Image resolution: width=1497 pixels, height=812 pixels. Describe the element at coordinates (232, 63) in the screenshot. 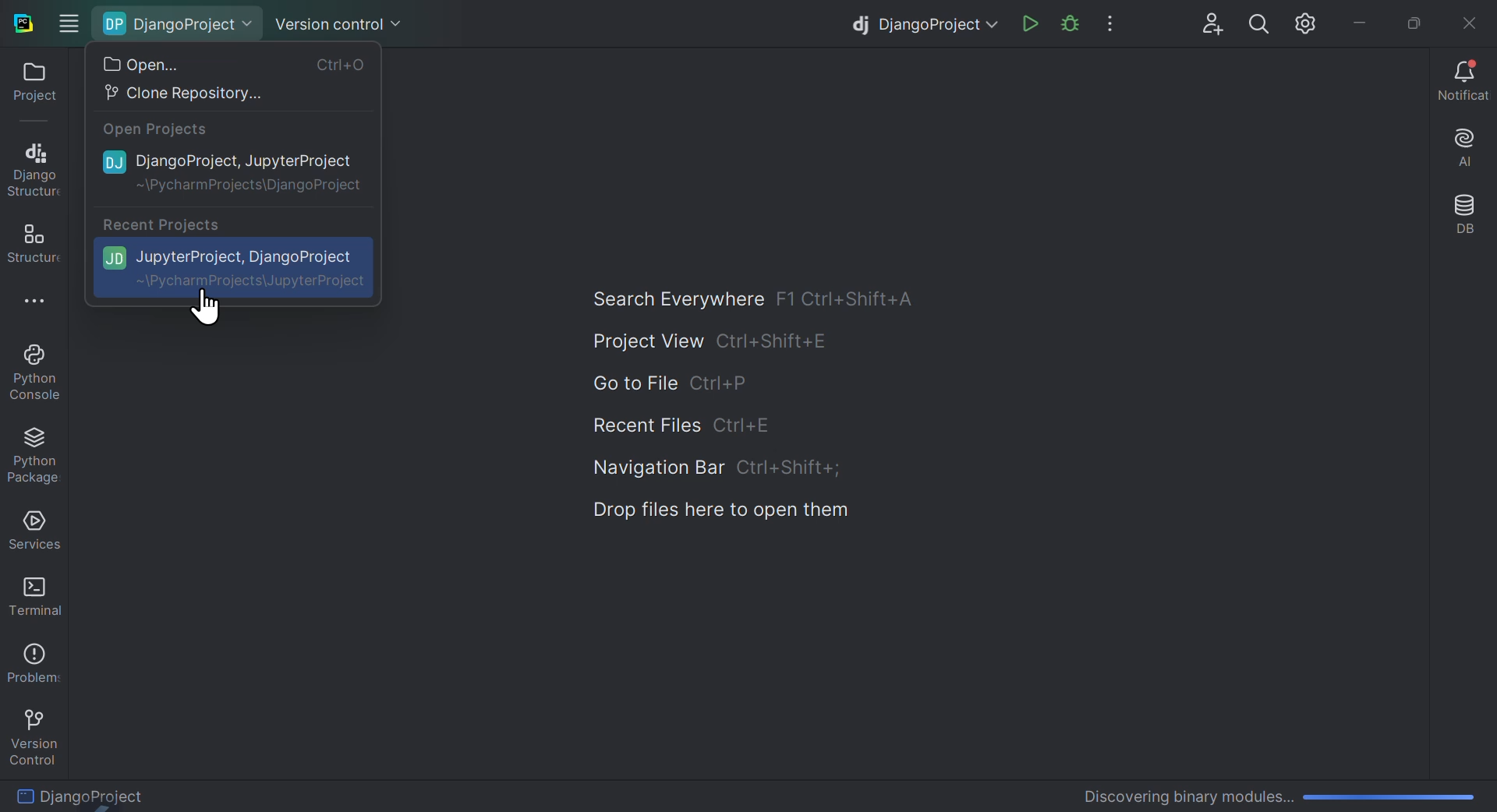

I see `Open` at that location.